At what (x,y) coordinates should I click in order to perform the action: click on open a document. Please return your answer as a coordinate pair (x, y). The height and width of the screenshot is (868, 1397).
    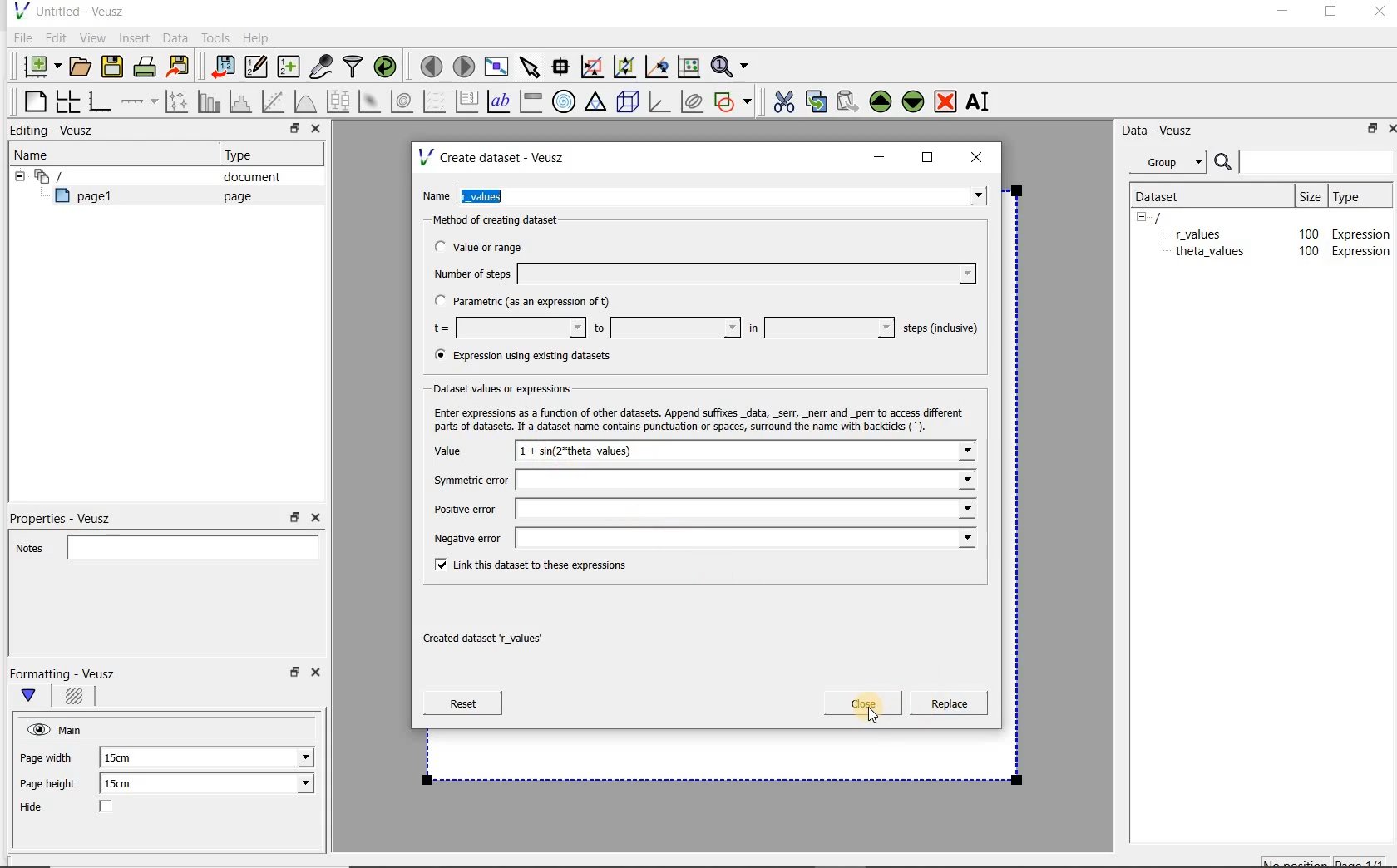
    Looking at the image, I should click on (82, 65).